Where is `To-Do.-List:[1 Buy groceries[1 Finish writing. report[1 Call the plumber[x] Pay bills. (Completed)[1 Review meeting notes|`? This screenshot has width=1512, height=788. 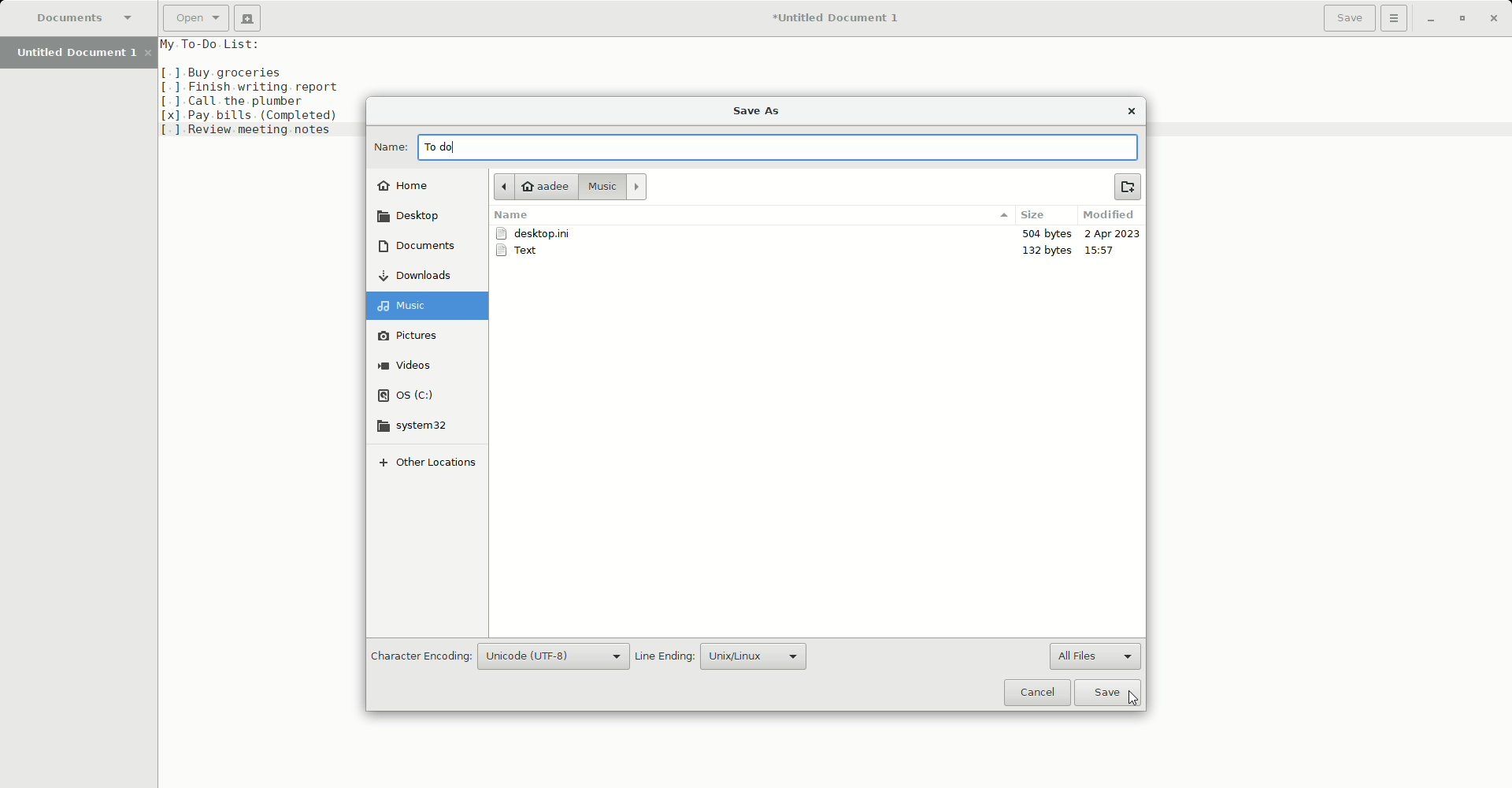
To-Do.-List:[1 Buy groceries[1 Finish writing. report[1 Call the plumber[x] Pay bills. (Completed)[1 Review meeting notes| is located at coordinates (260, 87).